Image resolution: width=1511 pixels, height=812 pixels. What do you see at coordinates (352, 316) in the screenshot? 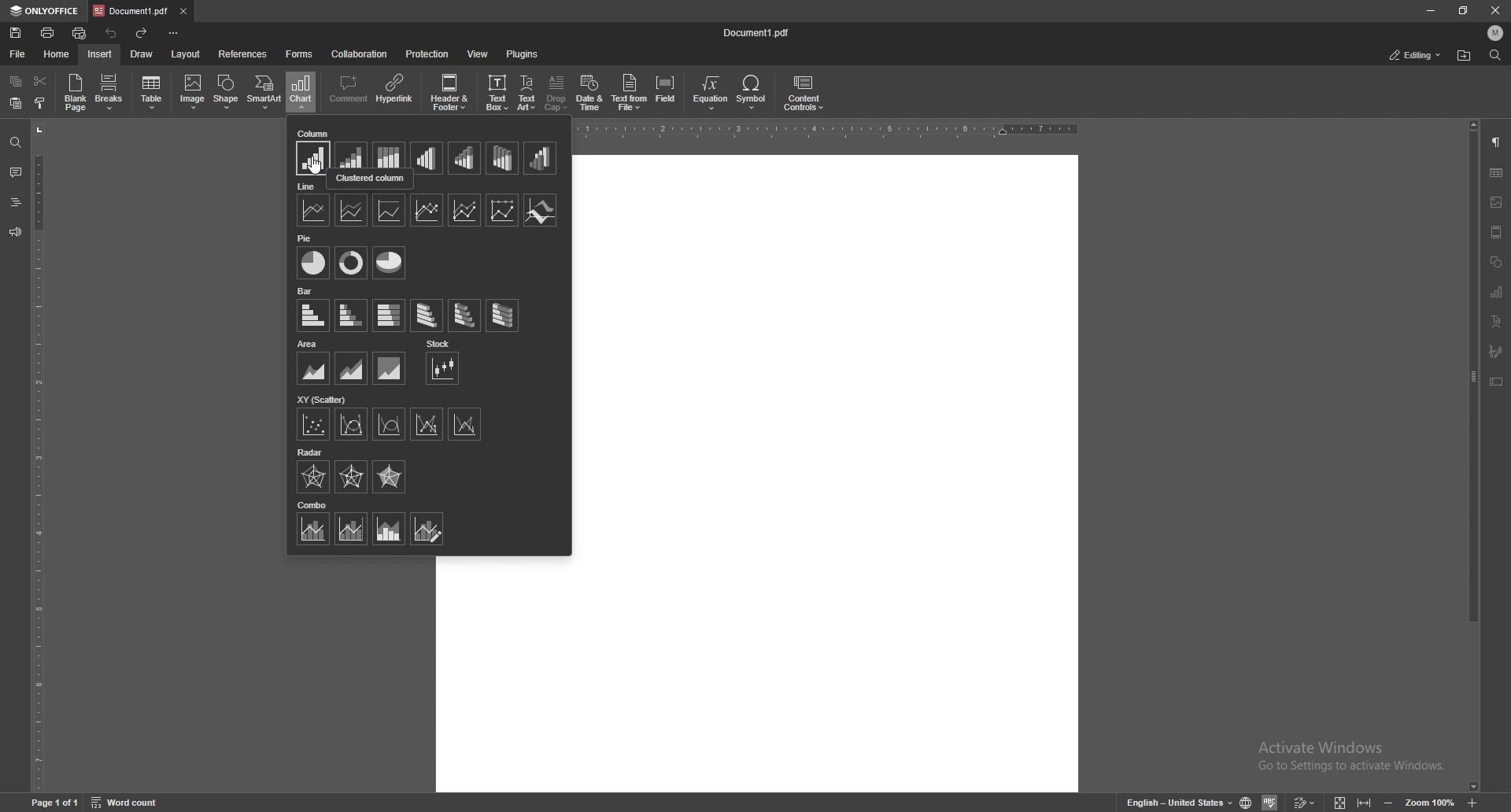
I see `stacked bar` at bounding box center [352, 316].